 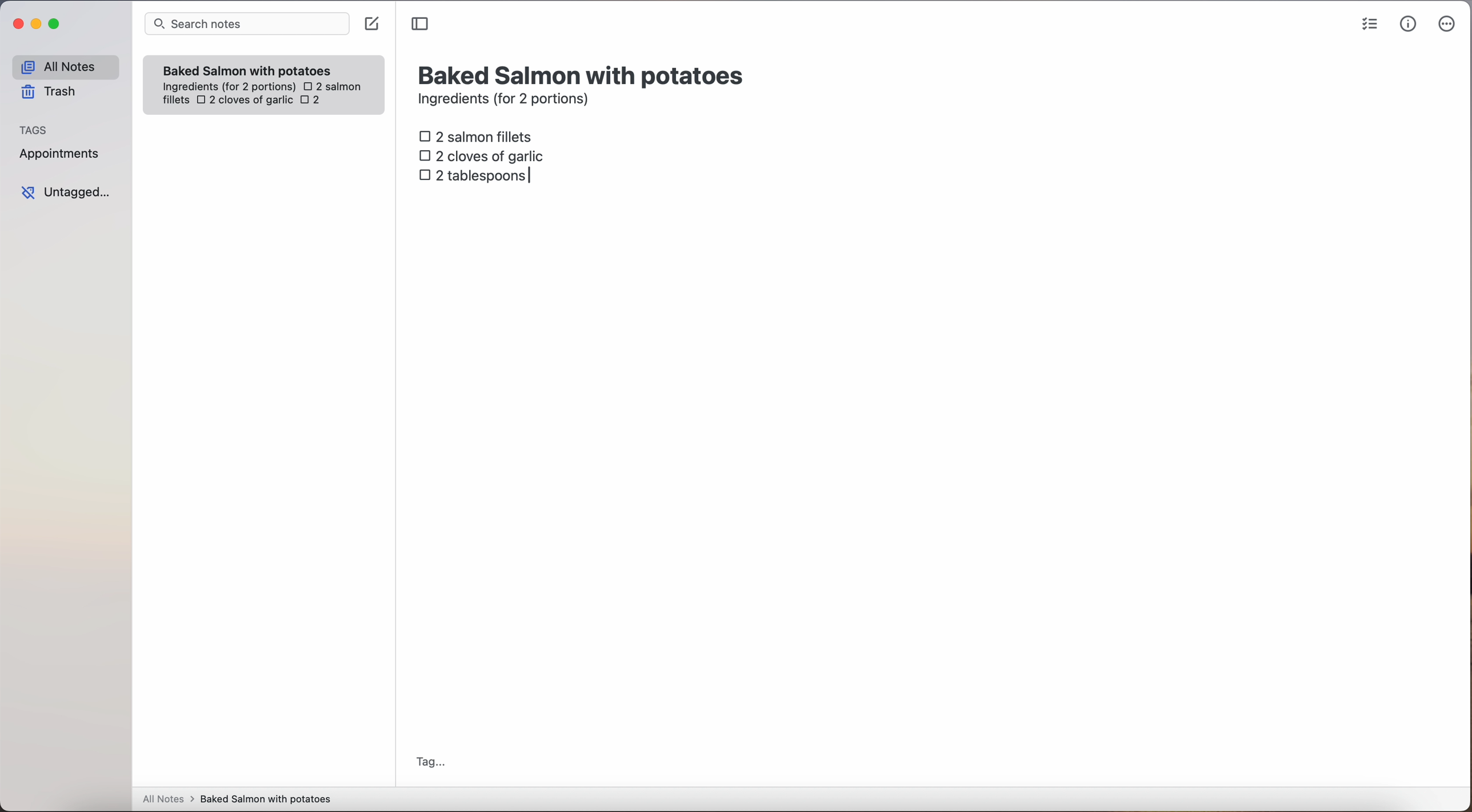 What do you see at coordinates (227, 87) in the screenshot?
I see `ingredientes (for 2 portions)` at bounding box center [227, 87].